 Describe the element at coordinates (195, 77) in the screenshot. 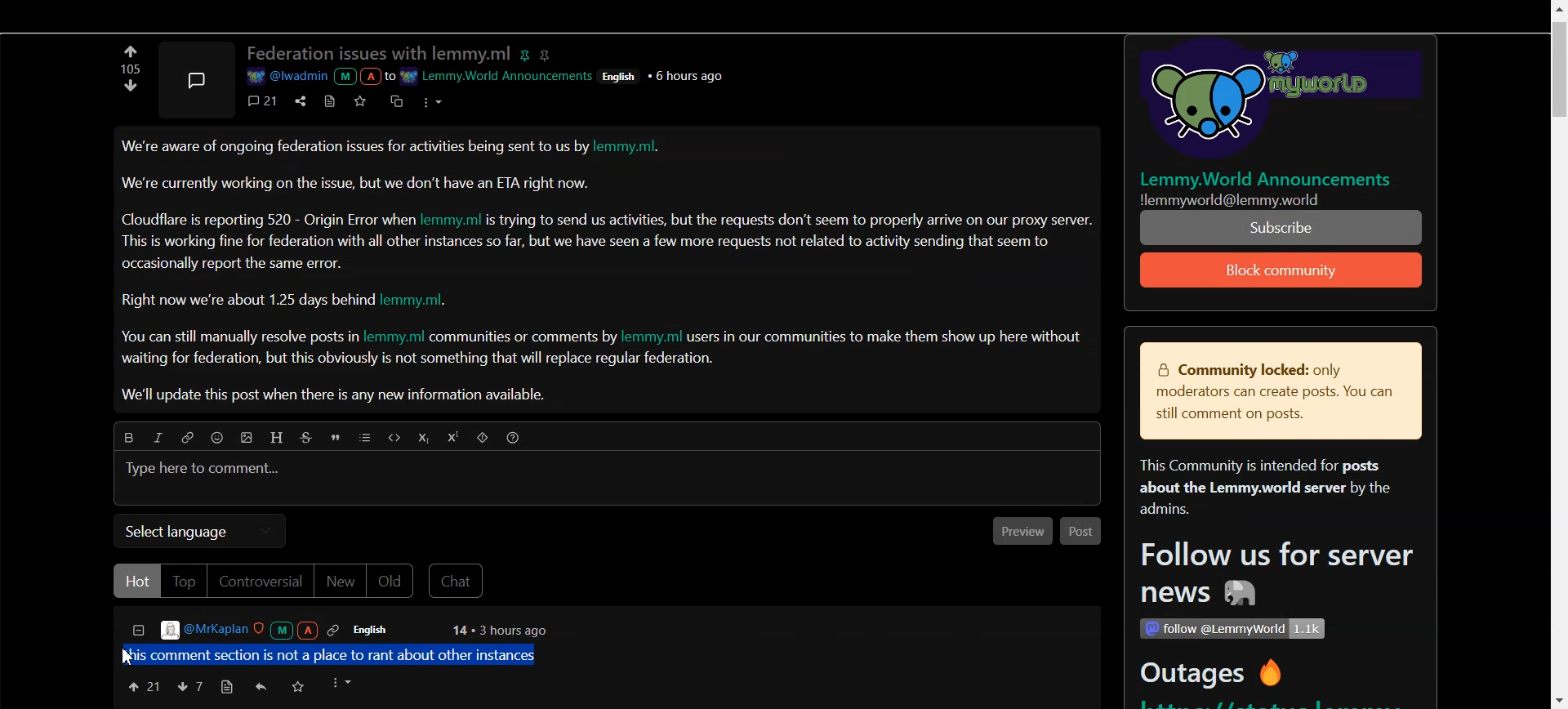

I see `Picture` at that location.